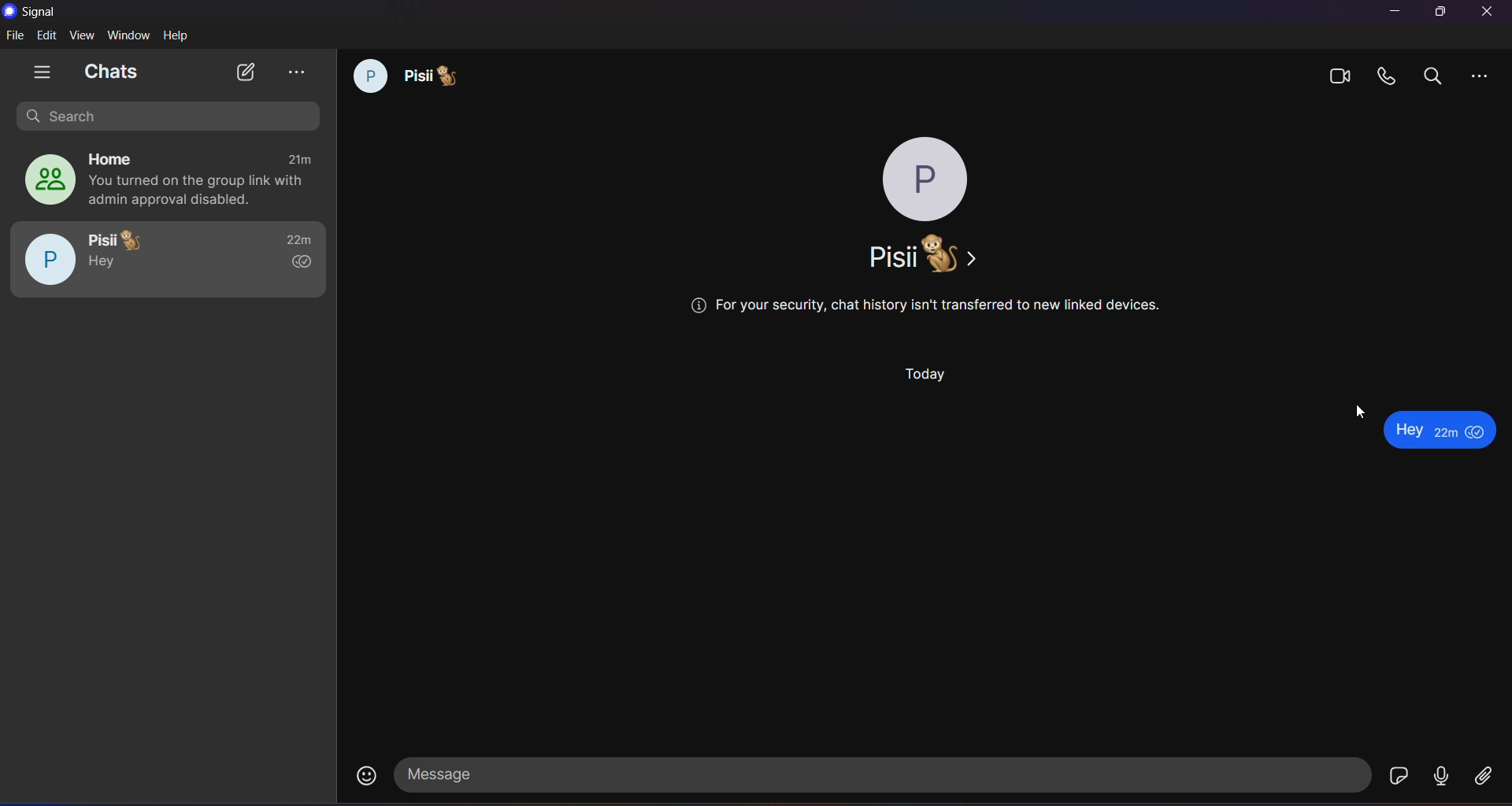  What do you see at coordinates (1481, 73) in the screenshot?
I see `more` at bounding box center [1481, 73].